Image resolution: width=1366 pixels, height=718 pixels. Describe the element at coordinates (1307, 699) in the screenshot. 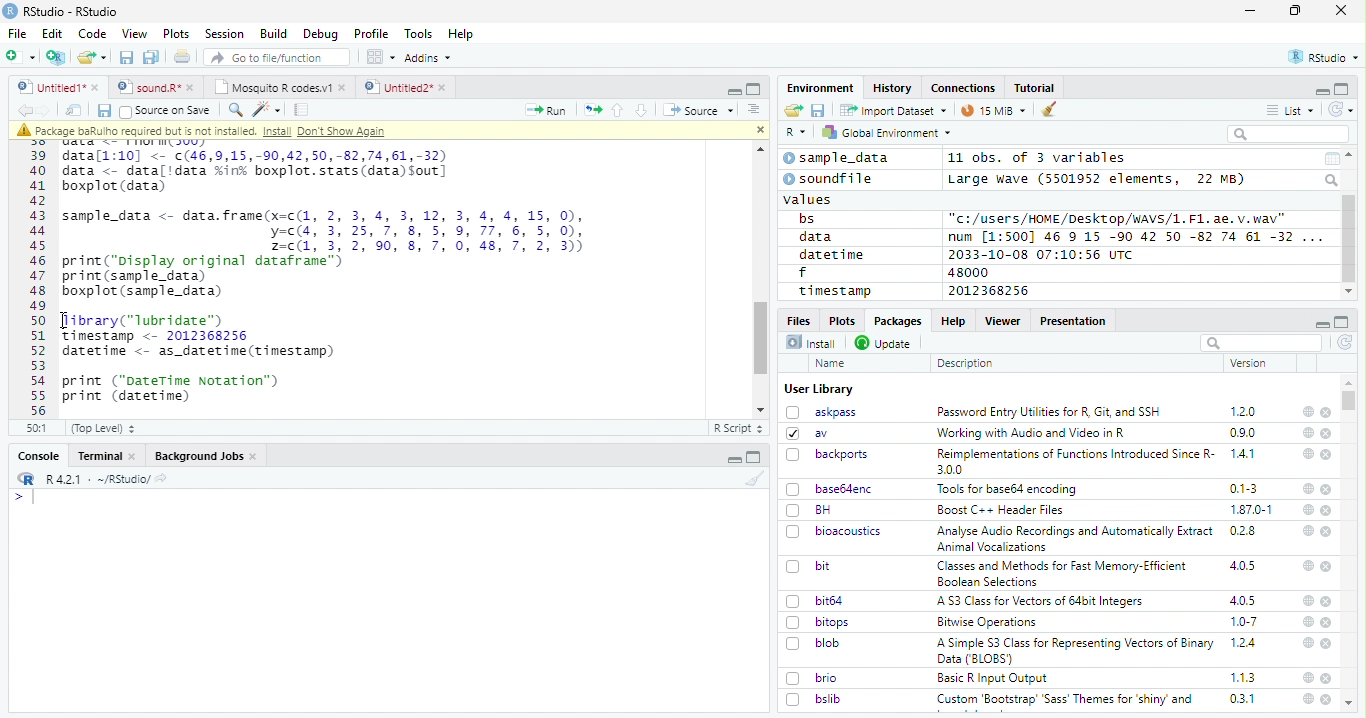

I see `help` at that location.